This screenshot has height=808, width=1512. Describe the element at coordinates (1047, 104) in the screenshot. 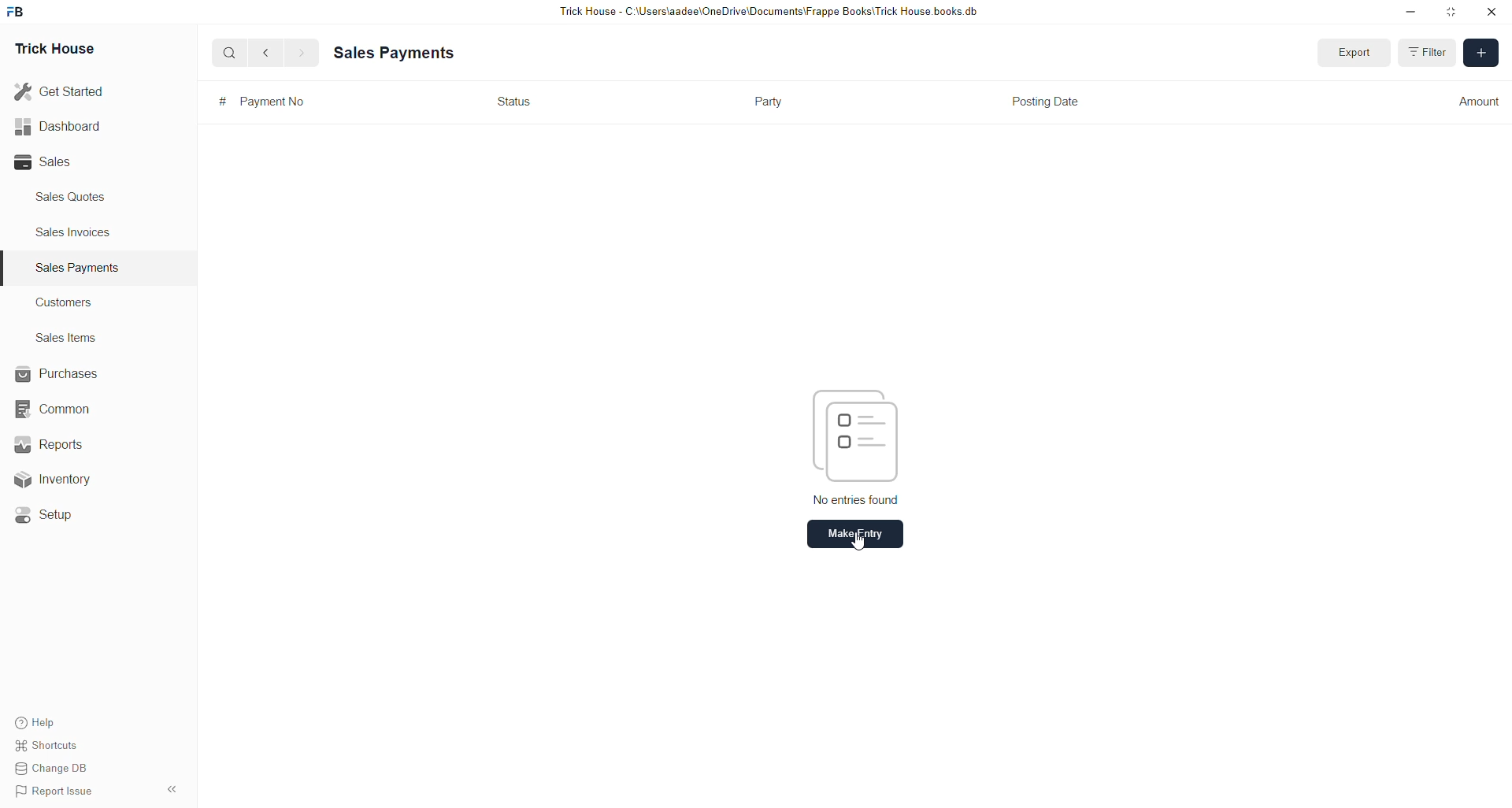

I see `Posting Date` at that location.